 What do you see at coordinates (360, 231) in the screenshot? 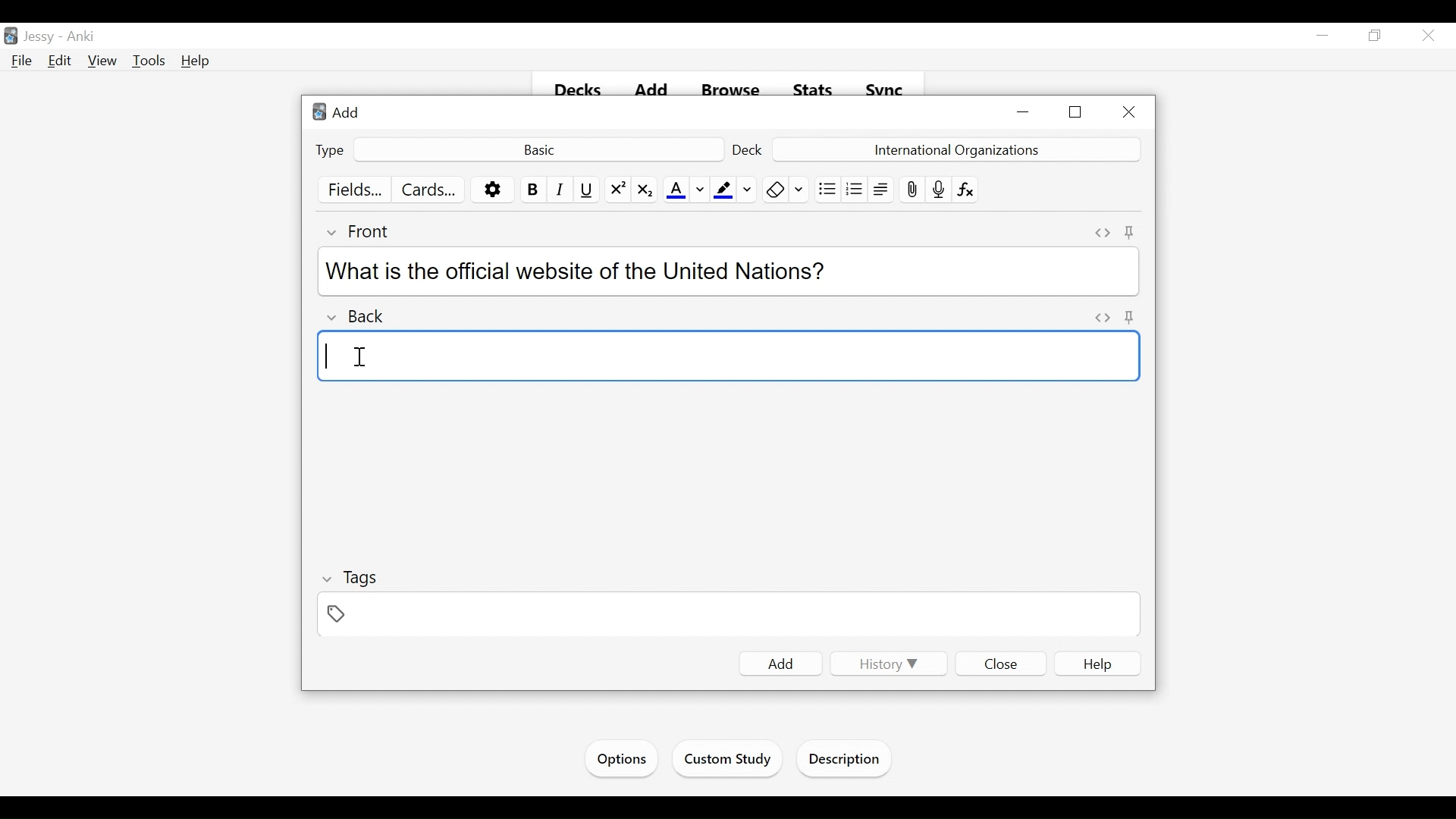
I see `Front` at bounding box center [360, 231].